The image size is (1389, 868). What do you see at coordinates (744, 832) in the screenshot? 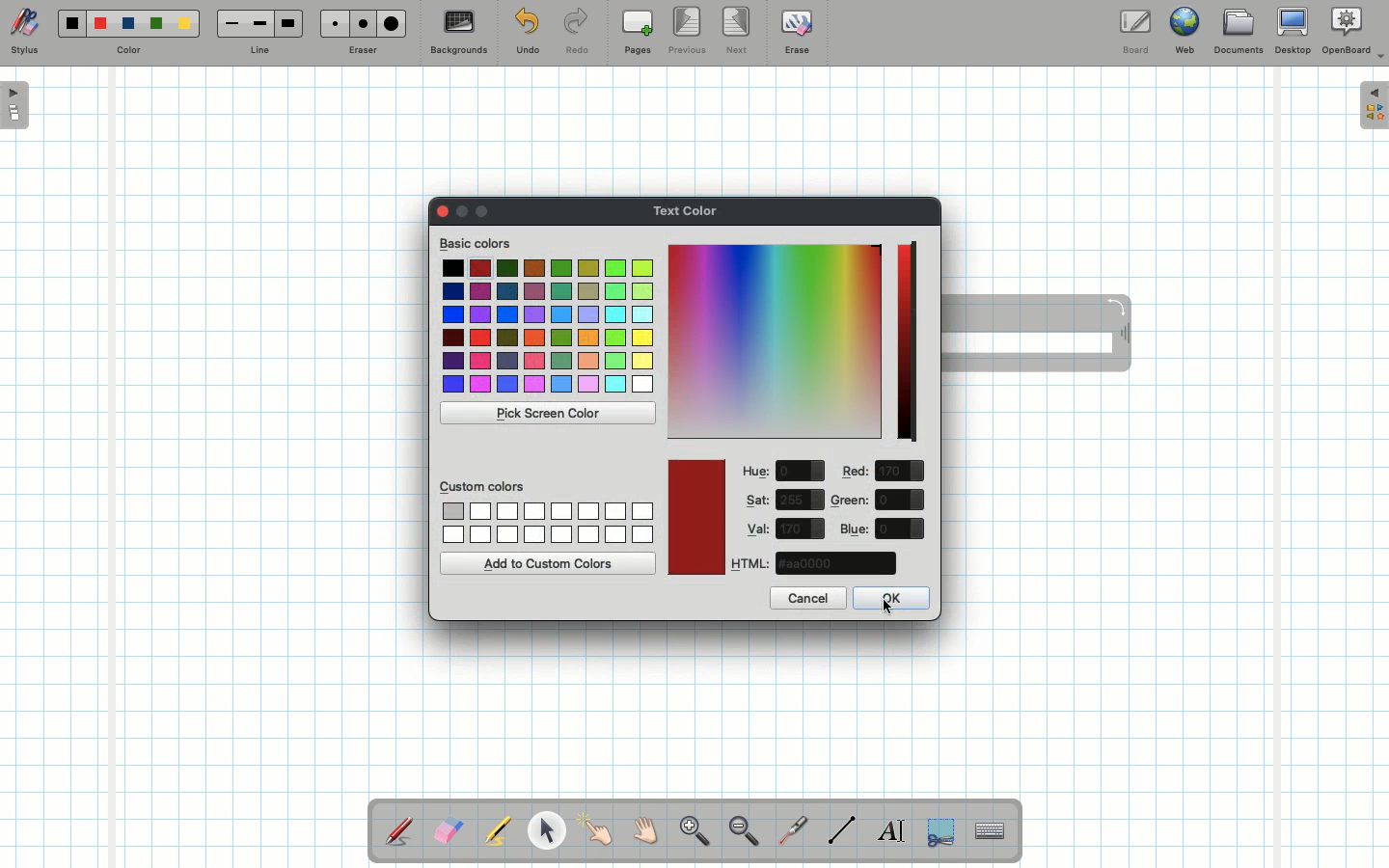
I see `Zoom out` at bounding box center [744, 832].